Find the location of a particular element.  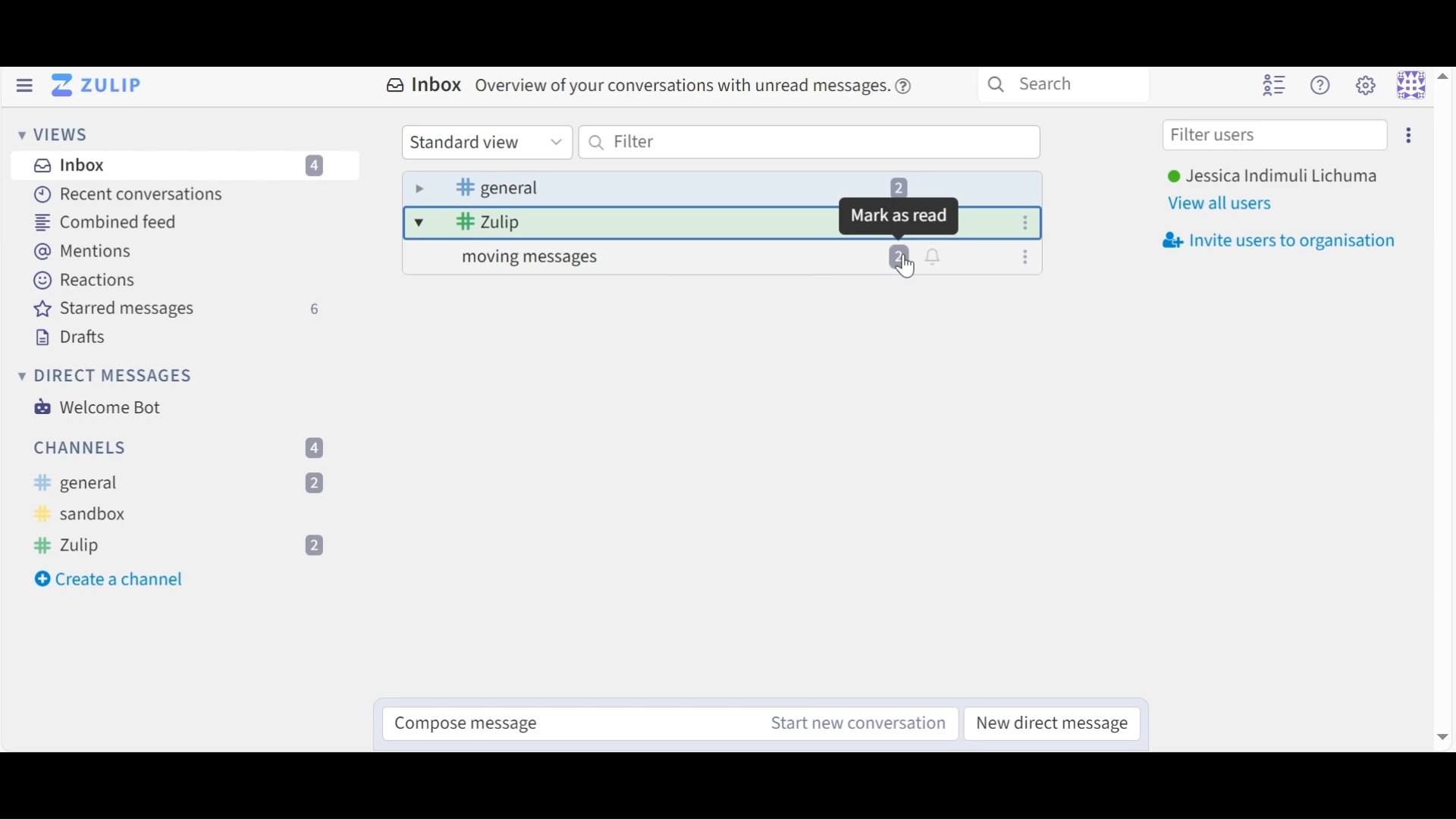

View all users is located at coordinates (1230, 202).